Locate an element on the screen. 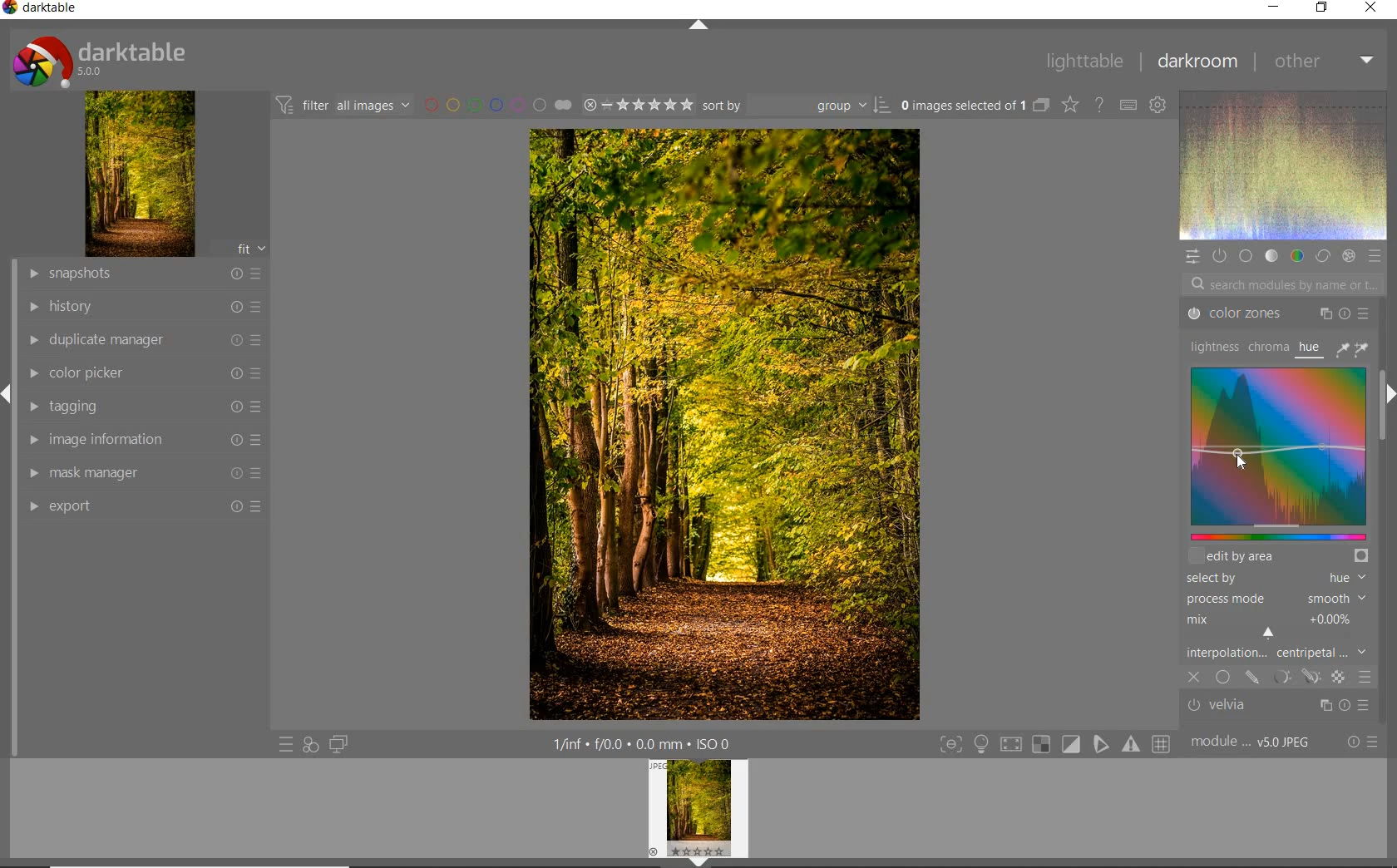 This screenshot has height=868, width=1397. interpolation is located at coordinates (1281, 654).